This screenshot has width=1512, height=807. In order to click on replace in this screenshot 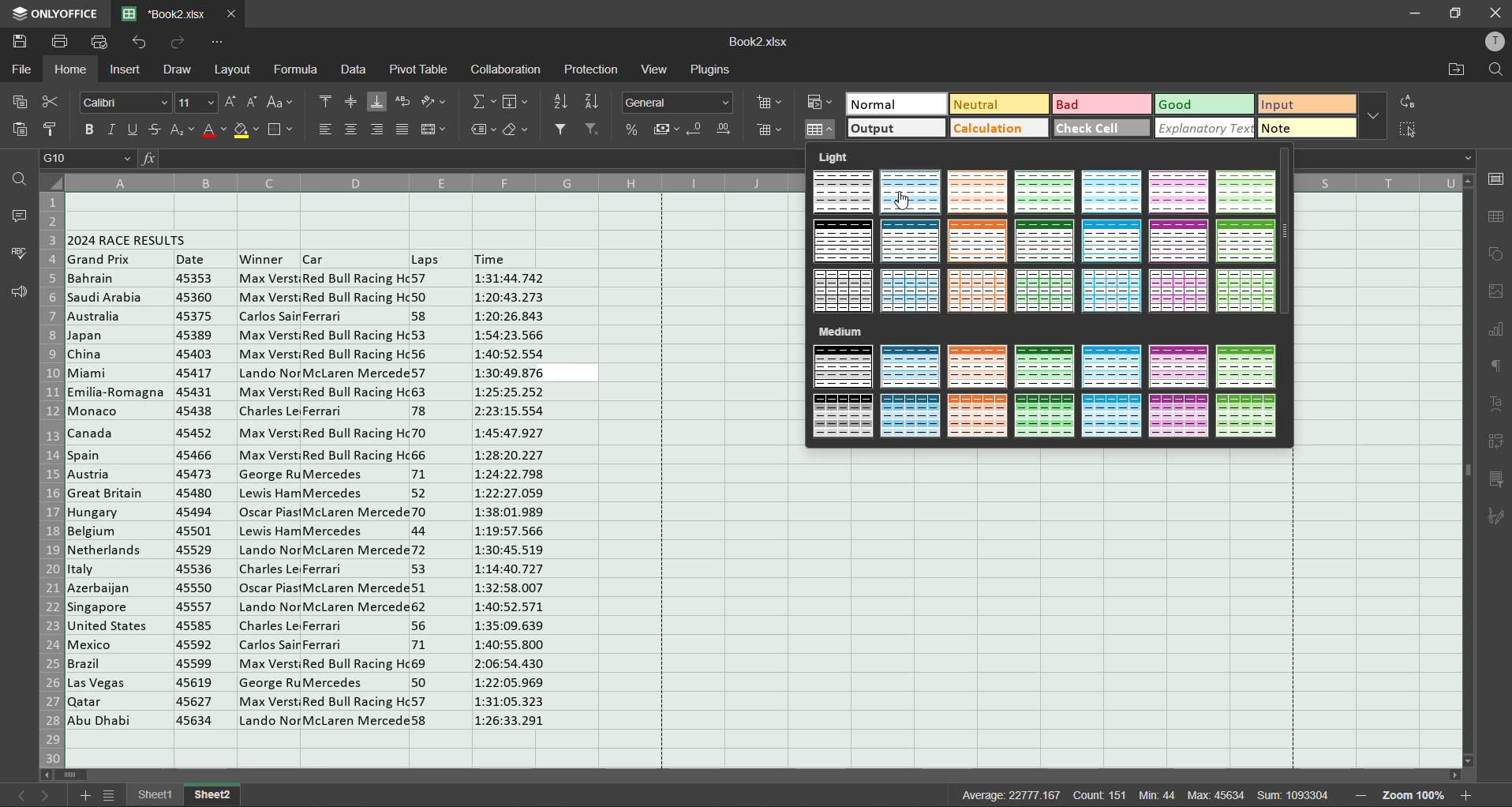, I will do `click(1410, 103)`.